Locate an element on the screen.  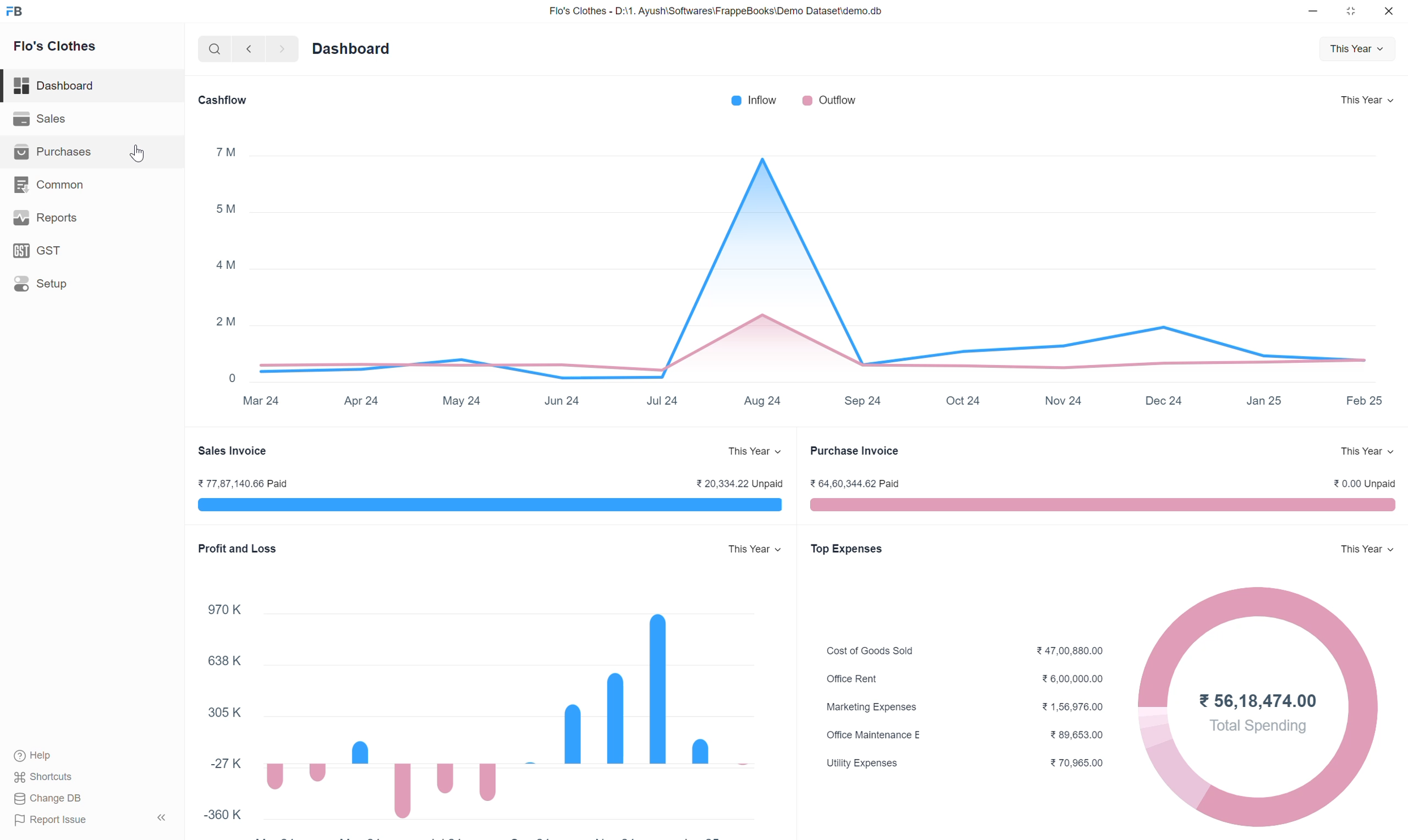
 77,87,140.66 Paid is located at coordinates (242, 483).